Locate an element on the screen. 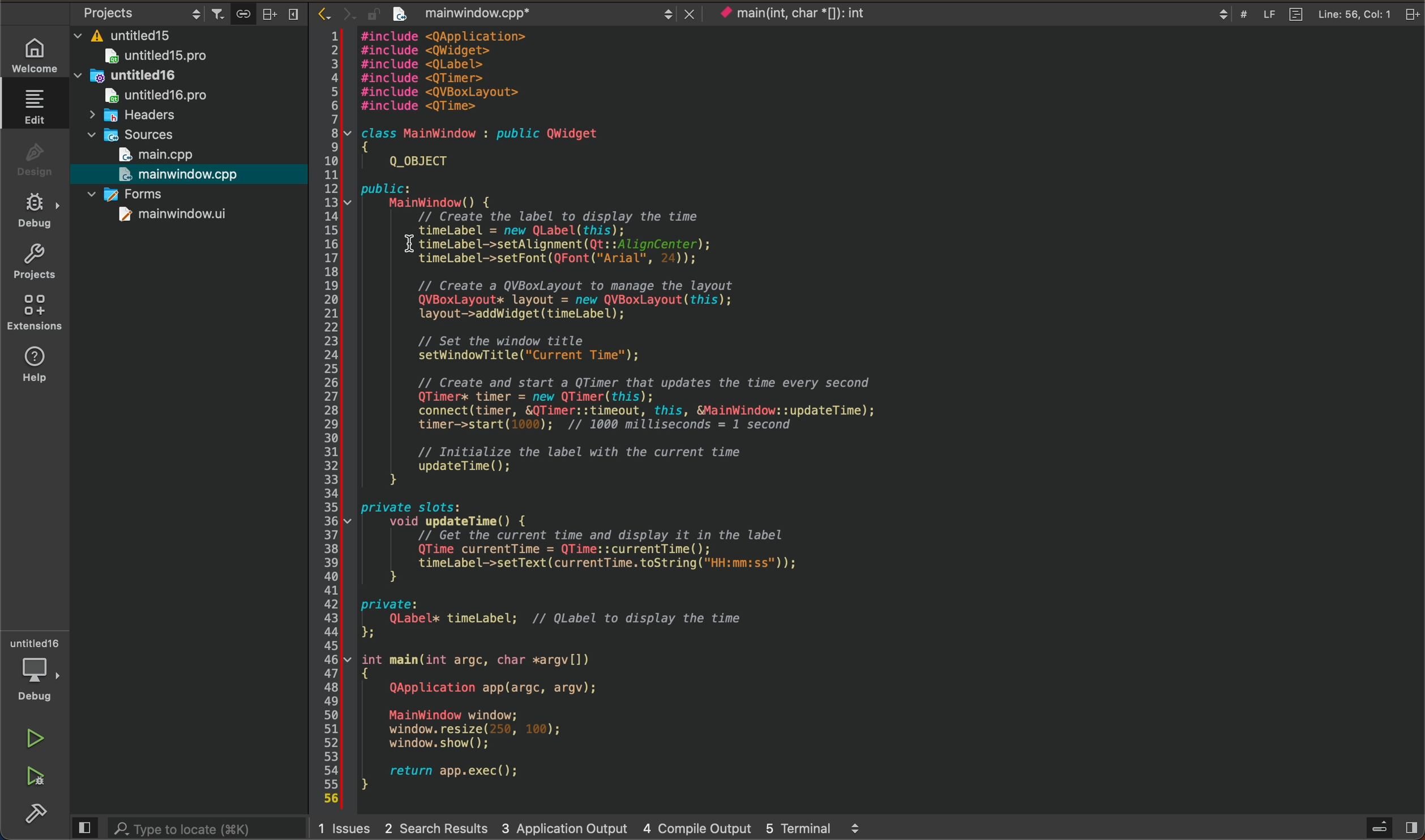  # LF is located at coordinates (1262, 14).